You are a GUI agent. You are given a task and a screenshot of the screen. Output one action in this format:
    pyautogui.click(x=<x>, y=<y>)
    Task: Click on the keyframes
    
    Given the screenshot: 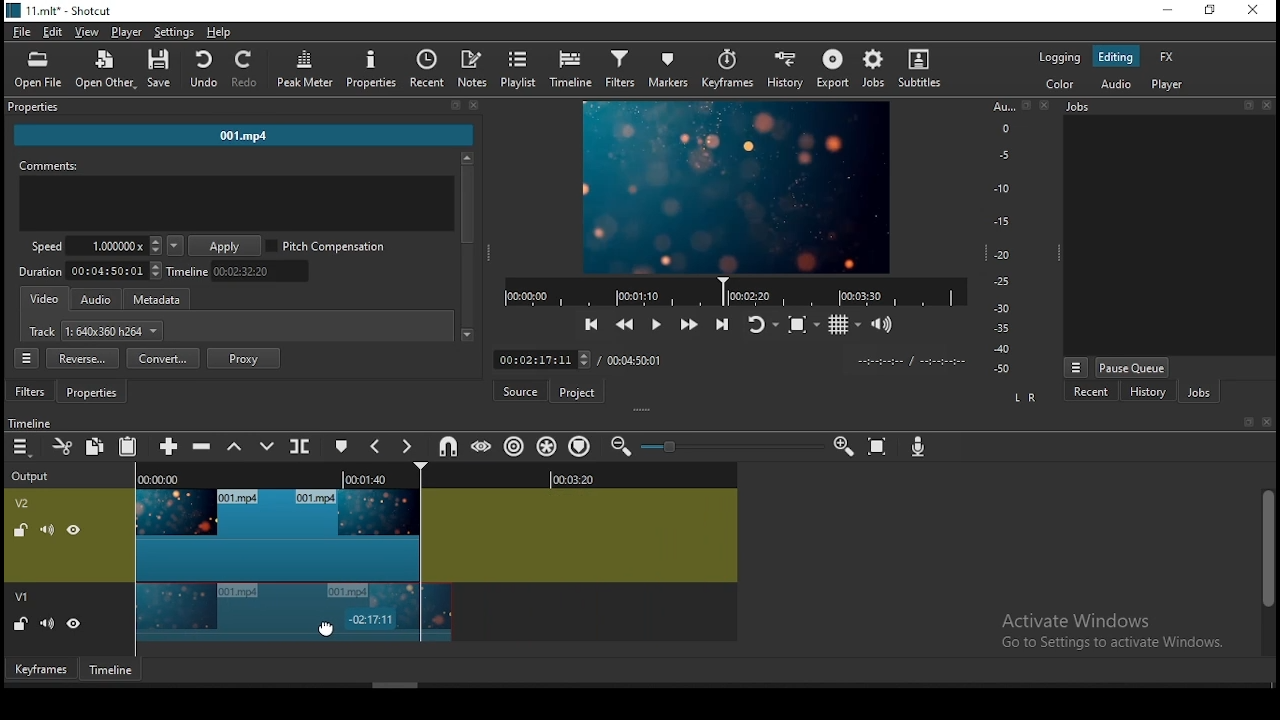 What is the action you would take?
    pyautogui.click(x=39, y=668)
    